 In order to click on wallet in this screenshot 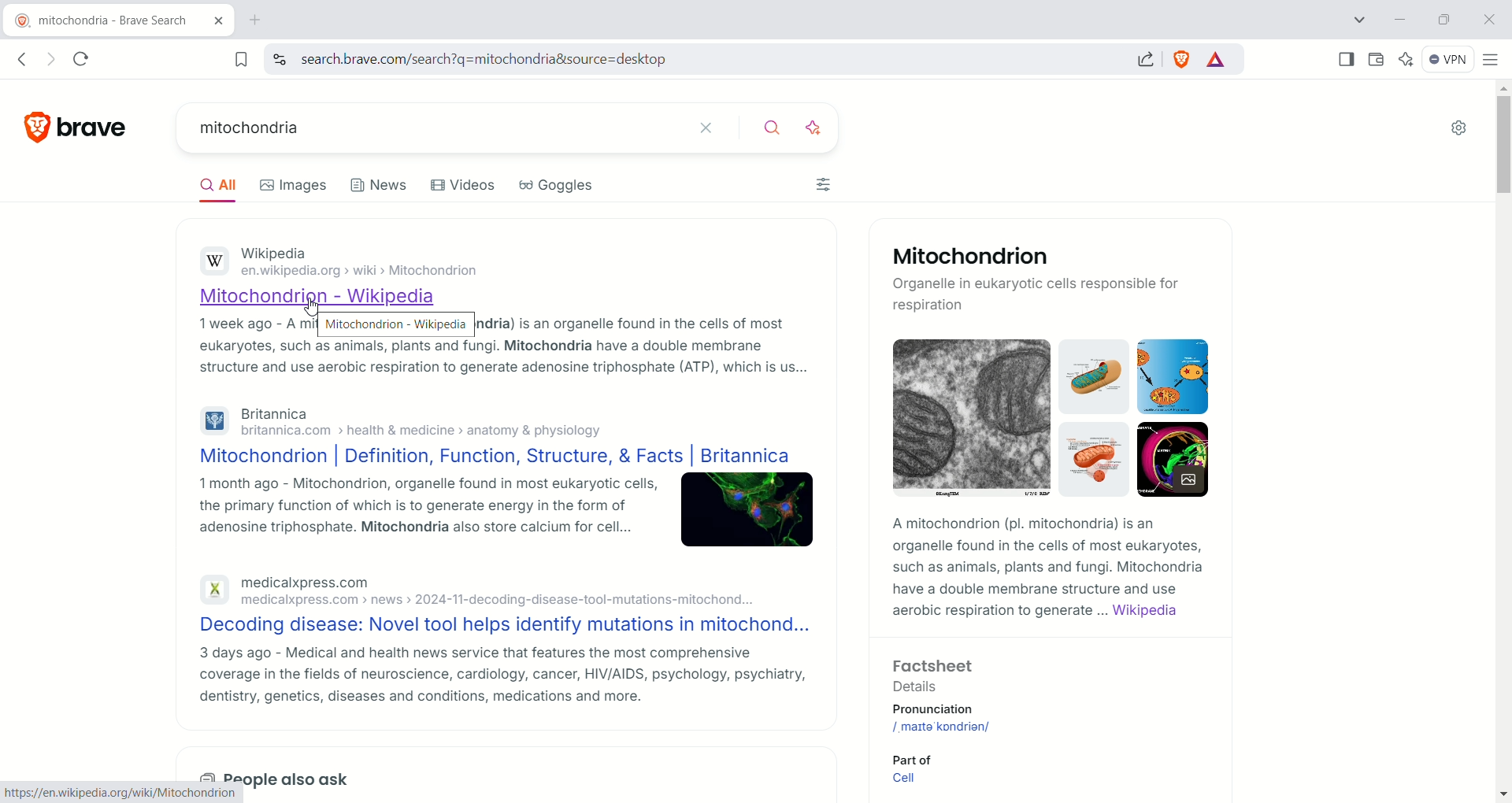, I will do `click(1376, 60)`.